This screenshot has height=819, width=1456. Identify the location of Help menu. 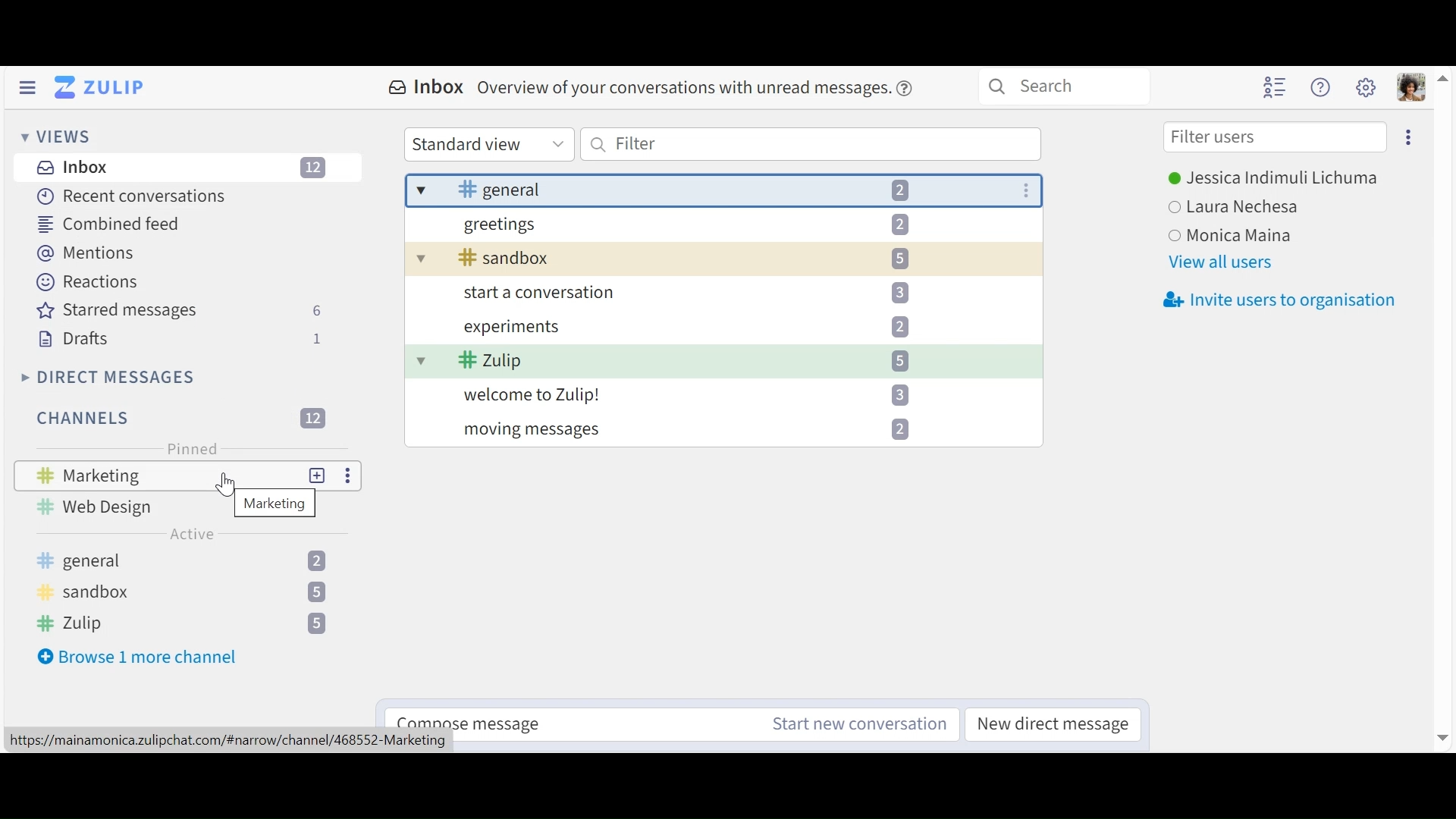
(1323, 88).